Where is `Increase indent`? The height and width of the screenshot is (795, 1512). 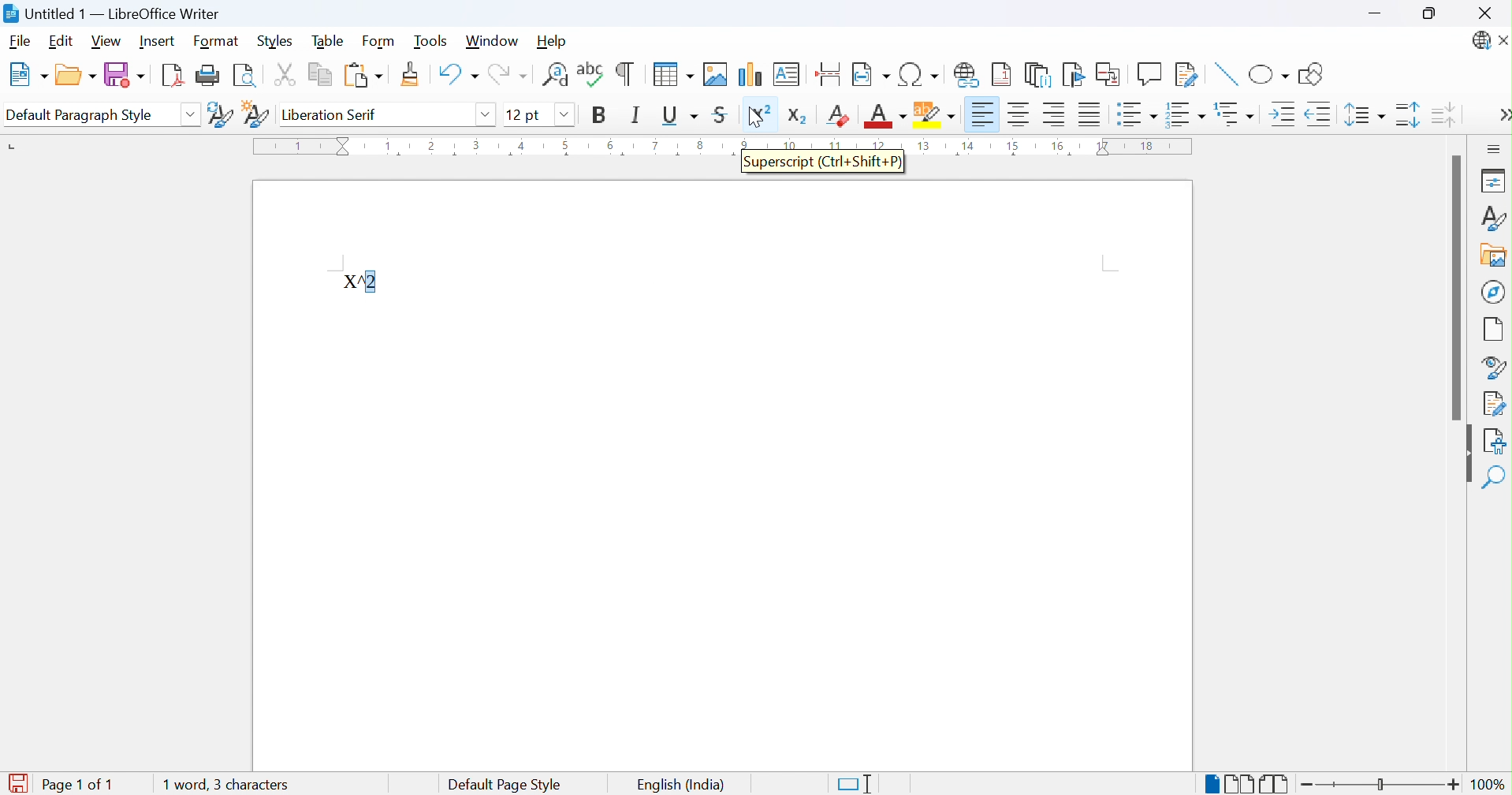
Increase indent is located at coordinates (1283, 115).